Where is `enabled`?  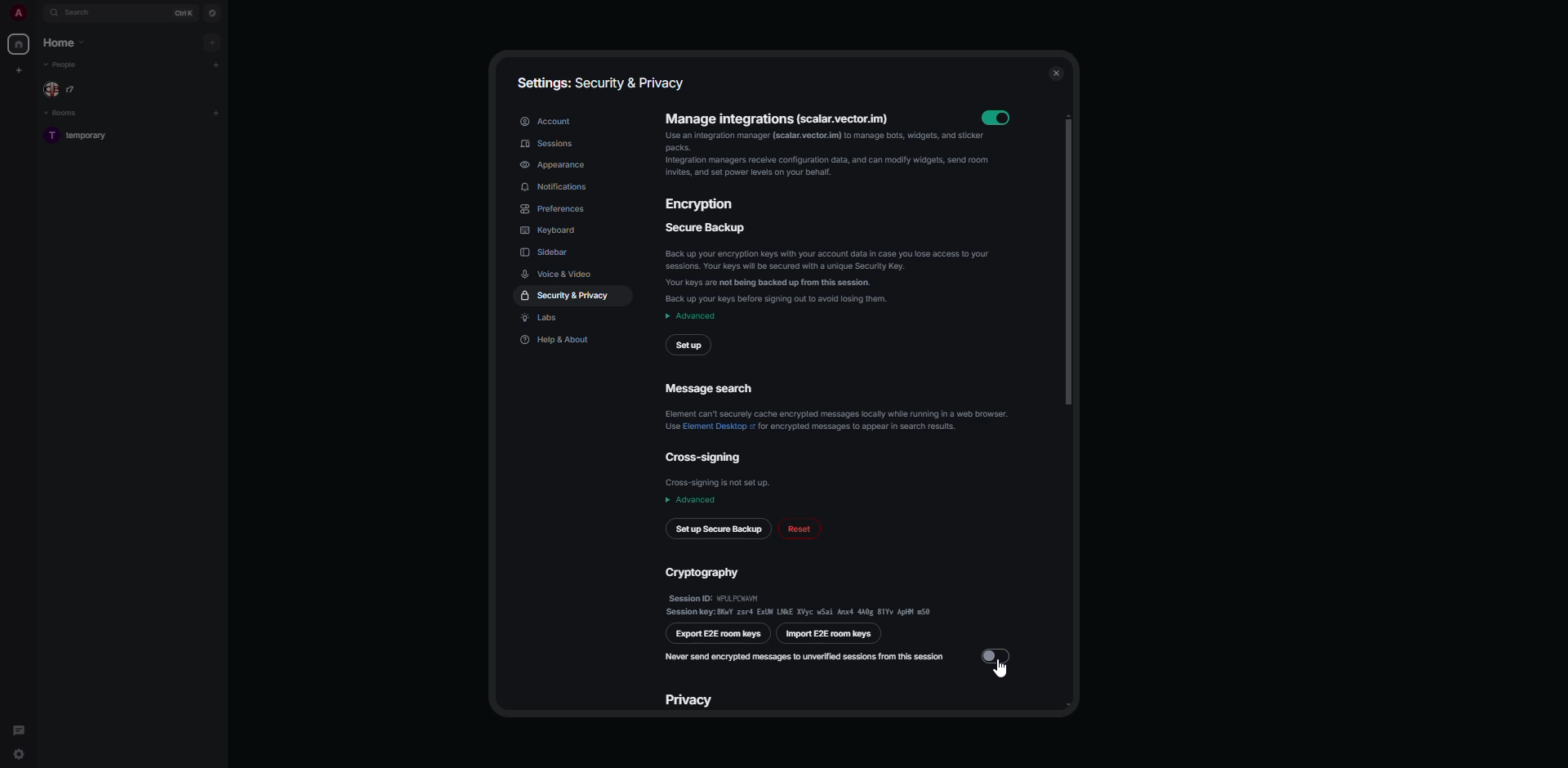 enabled is located at coordinates (1003, 115).